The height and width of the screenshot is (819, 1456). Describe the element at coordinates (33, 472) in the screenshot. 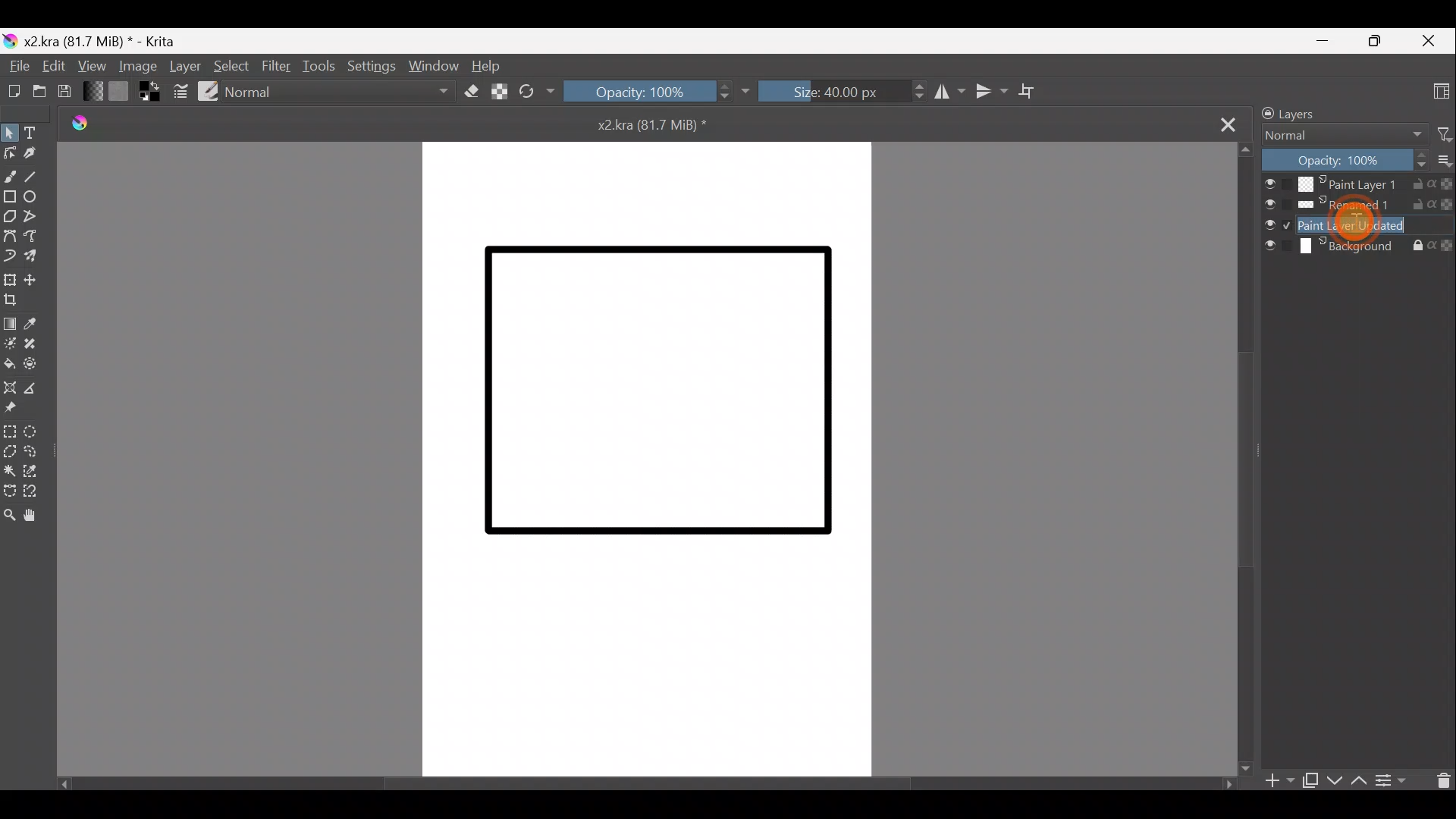

I see `Similar colour selection tool` at that location.